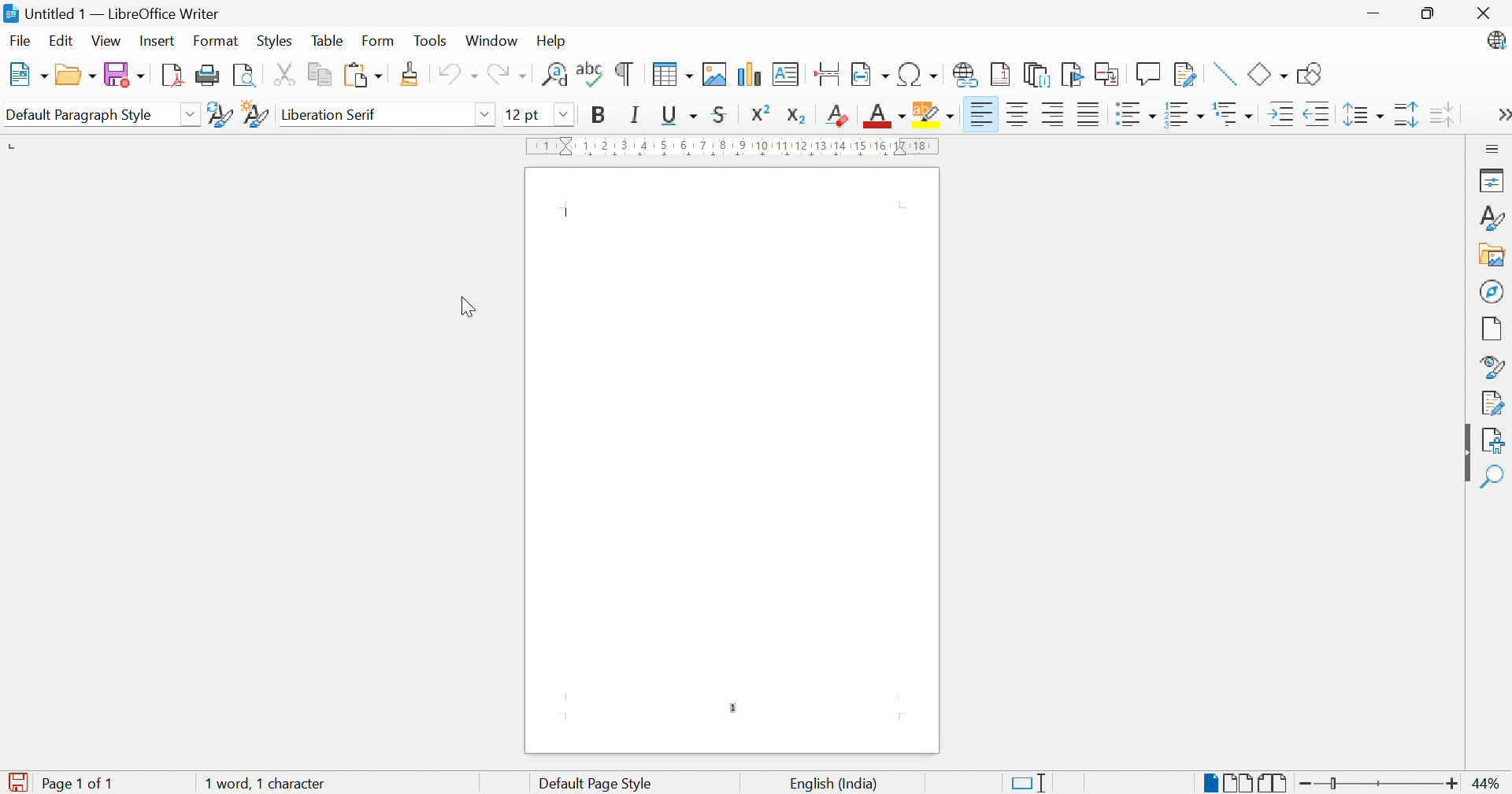  What do you see at coordinates (566, 115) in the screenshot?
I see `Drop down` at bounding box center [566, 115].